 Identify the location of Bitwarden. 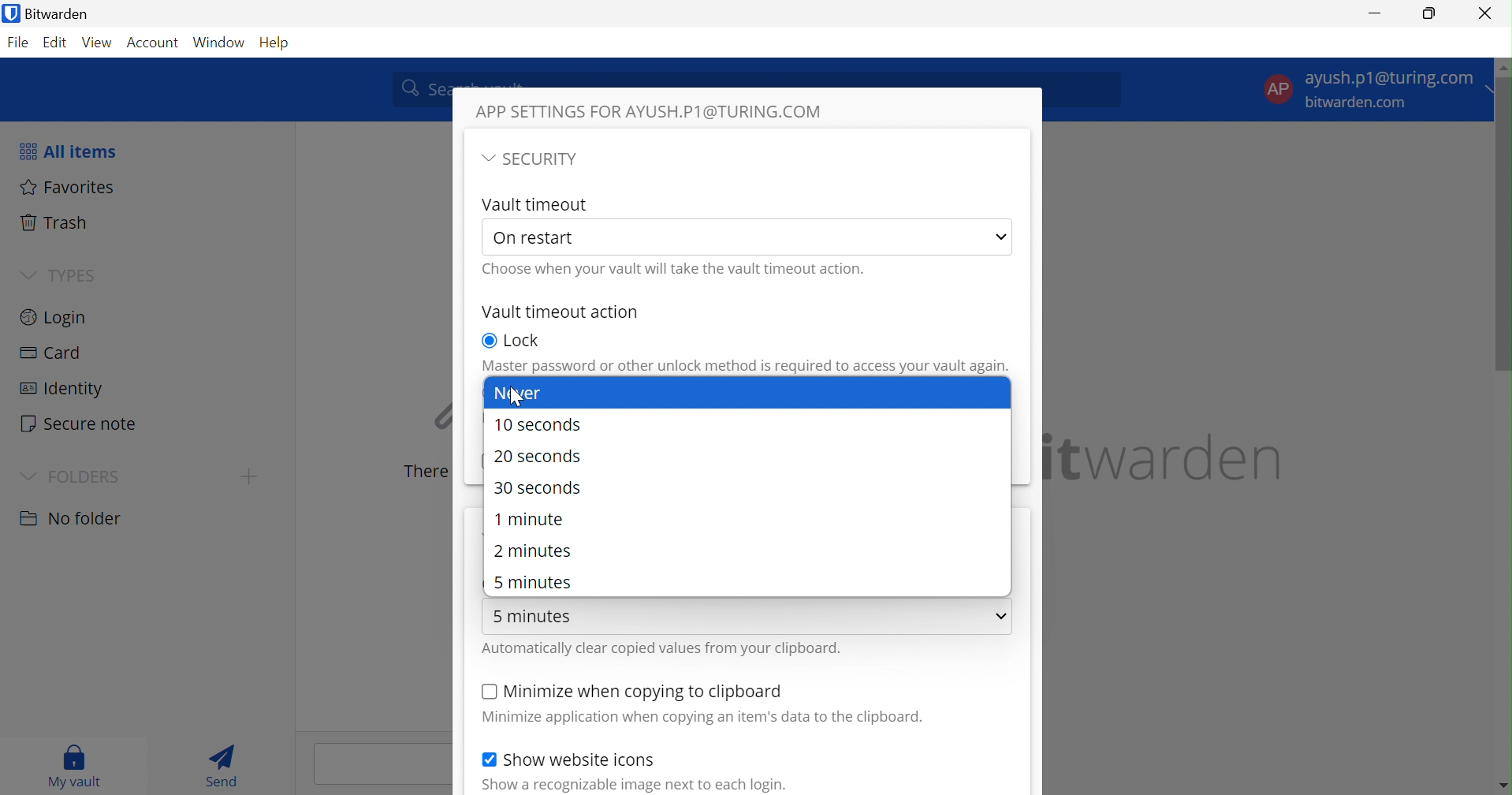
(51, 13).